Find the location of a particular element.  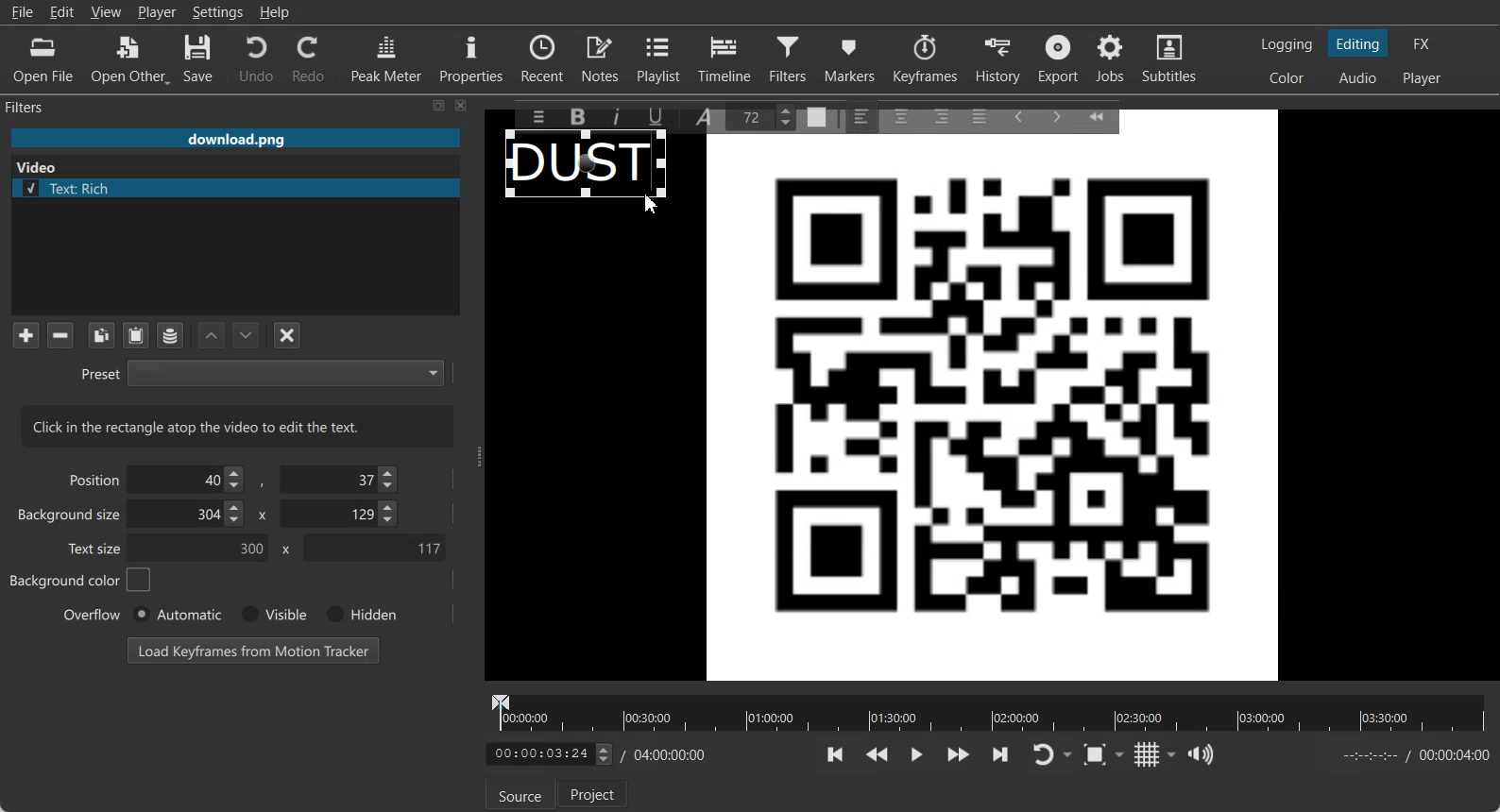

Text size is located at coordinates (96, 548).